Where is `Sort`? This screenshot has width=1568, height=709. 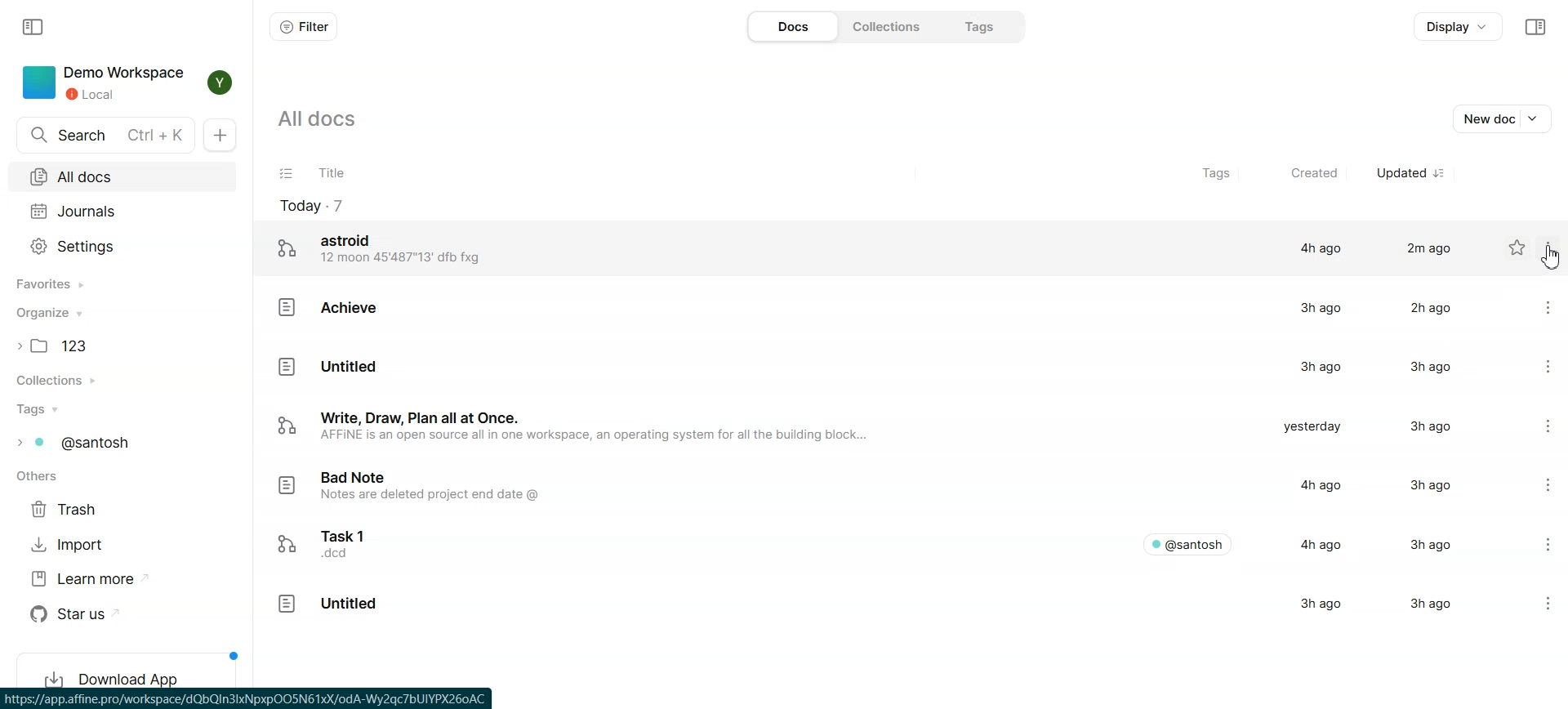 Sort is located at coordinates (1441, 173).